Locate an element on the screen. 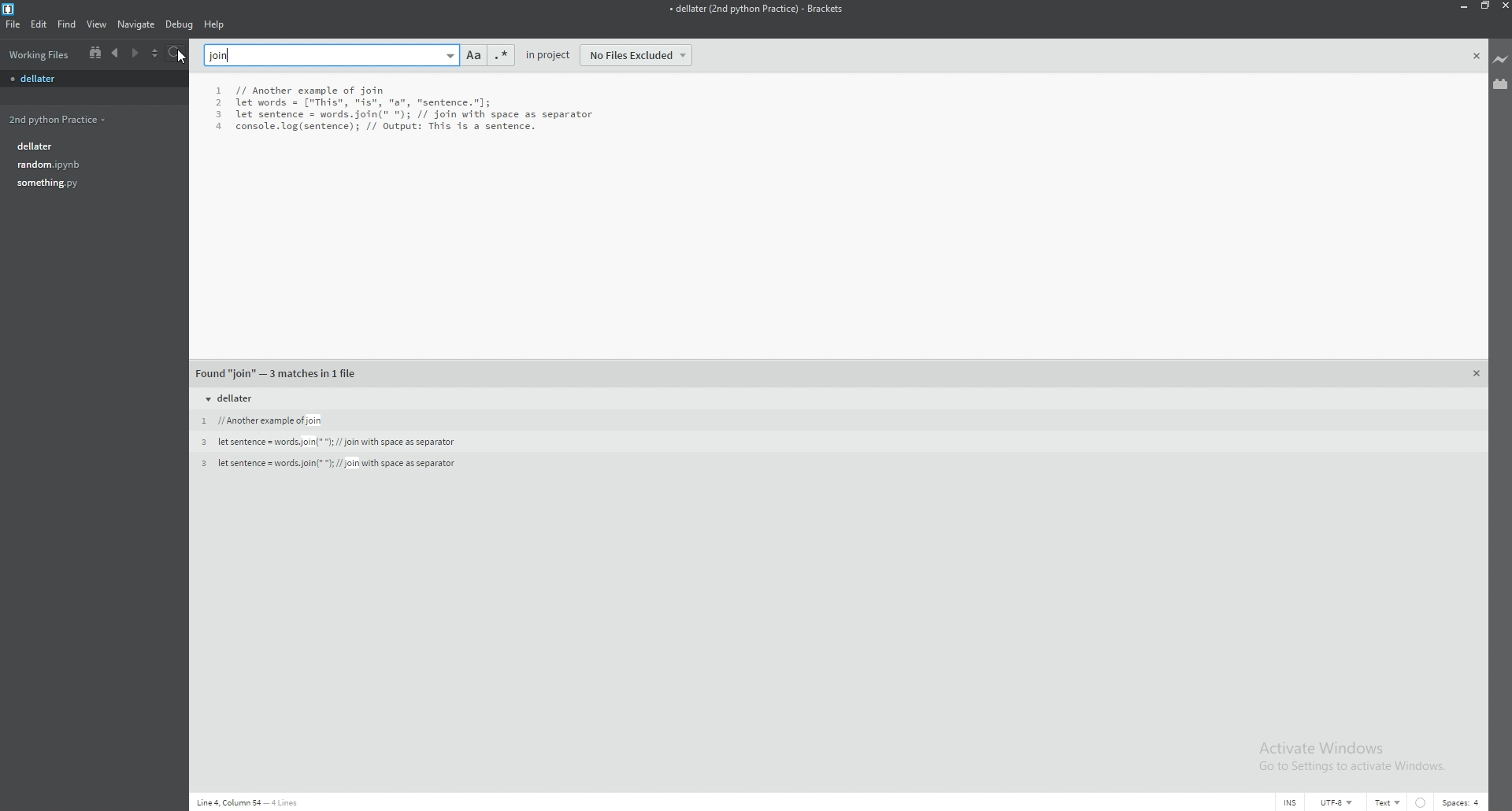  extension manager is located at coordinates (1502, 84).